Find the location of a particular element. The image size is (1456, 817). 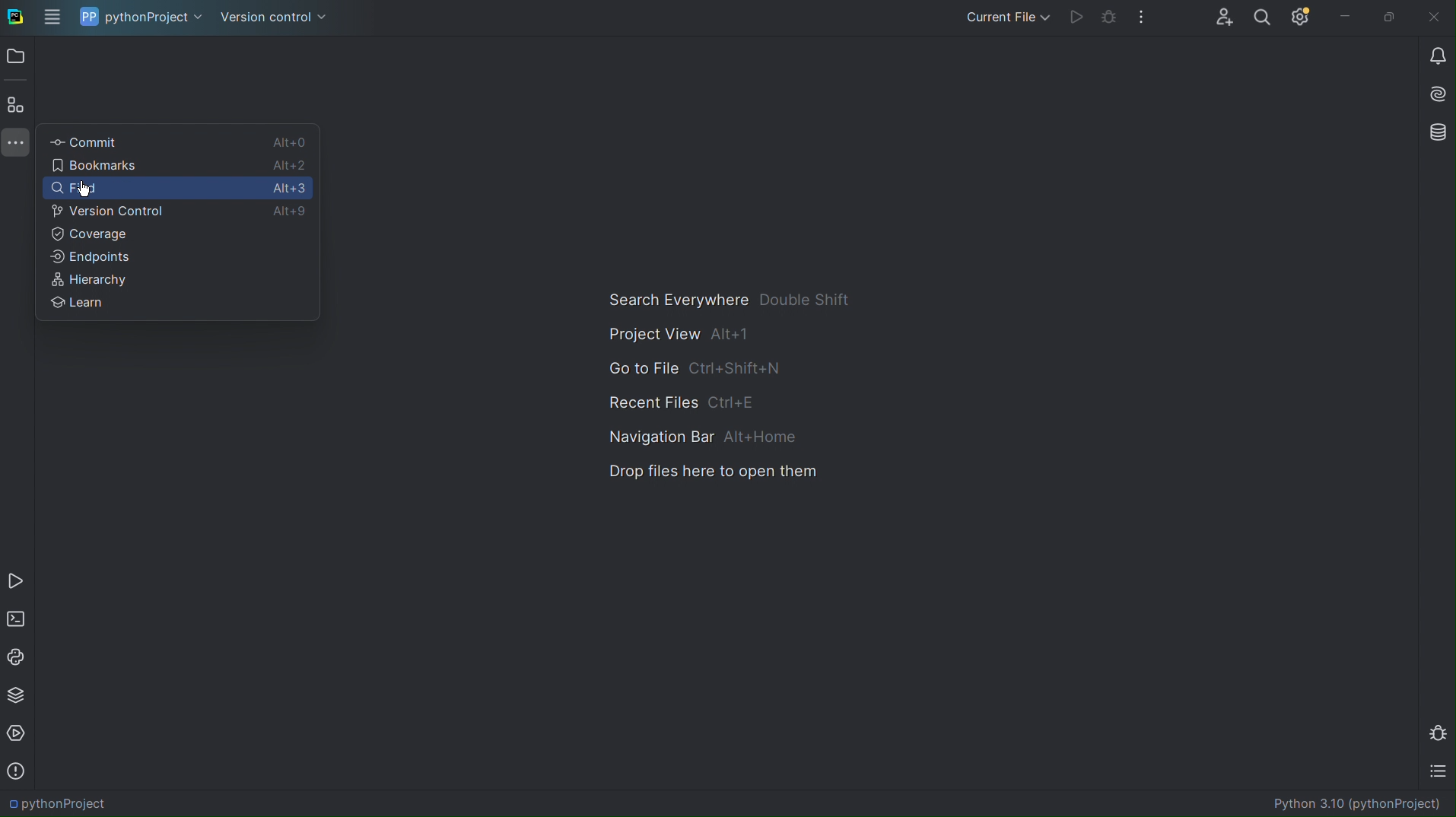

Commit is located at coordinates (91, 138).